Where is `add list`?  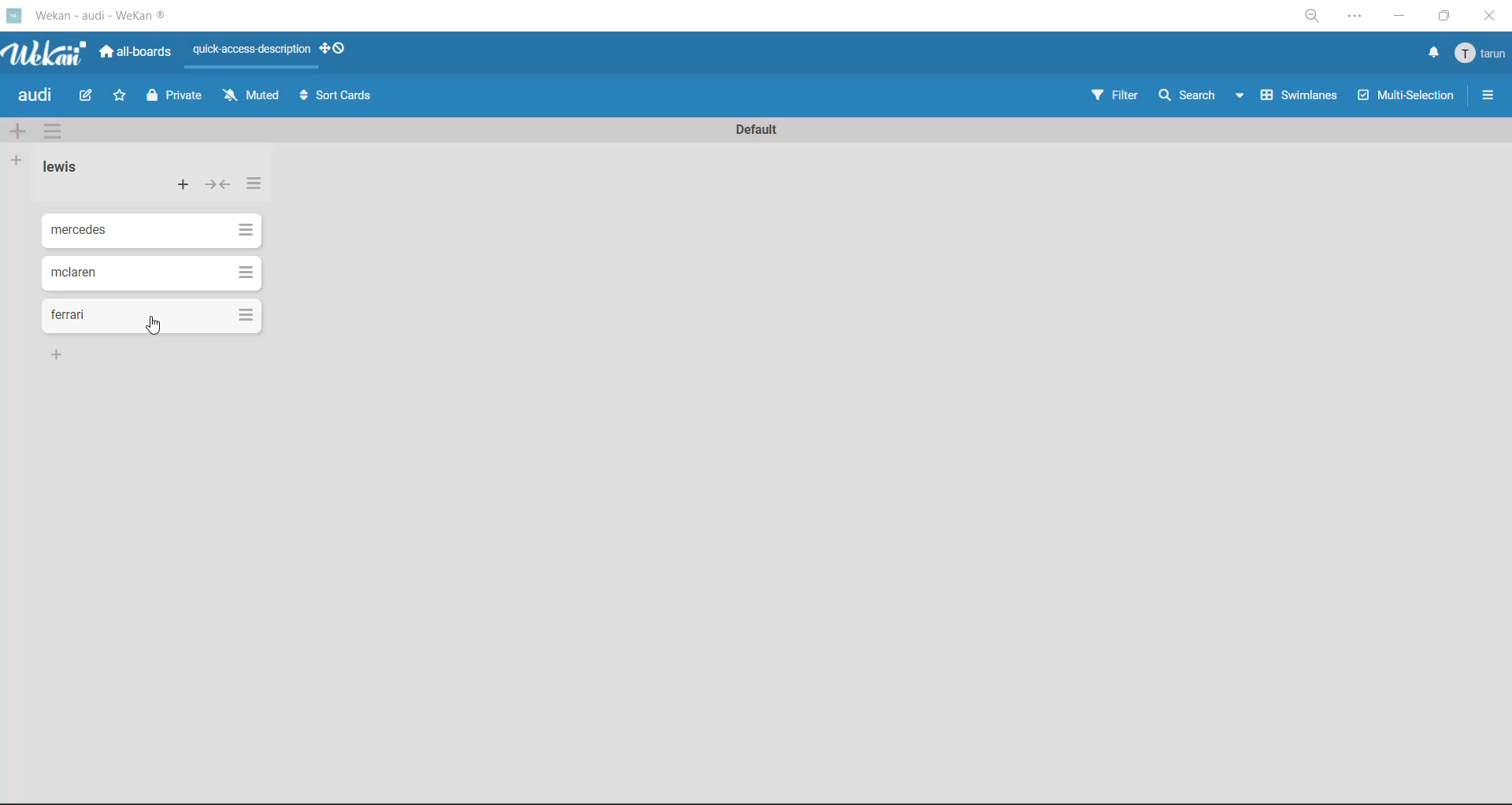 add list is located at coordinates (17, 163).